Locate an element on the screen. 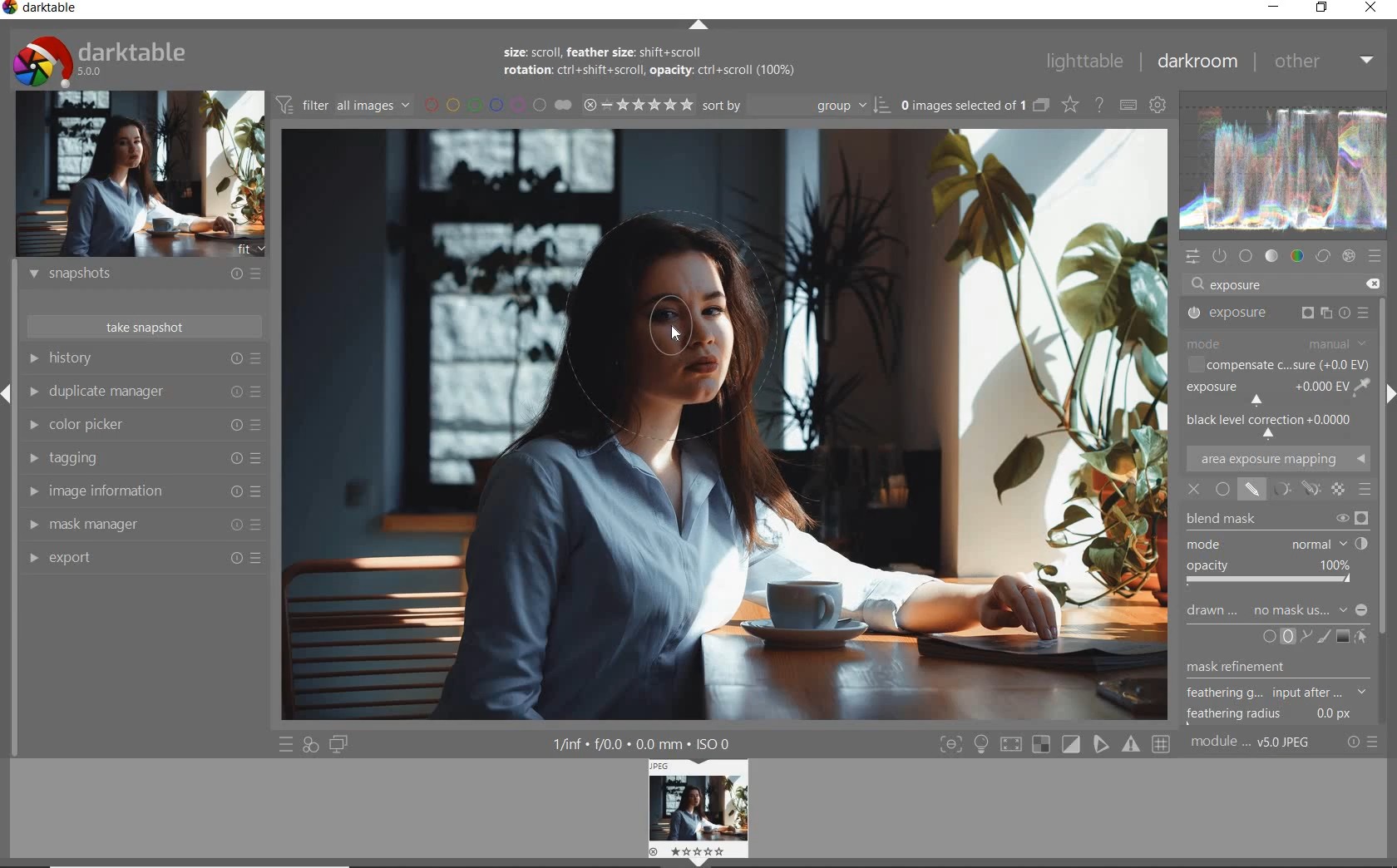  COMPENSATE C...SURE is located at coordinates (1279, 365).